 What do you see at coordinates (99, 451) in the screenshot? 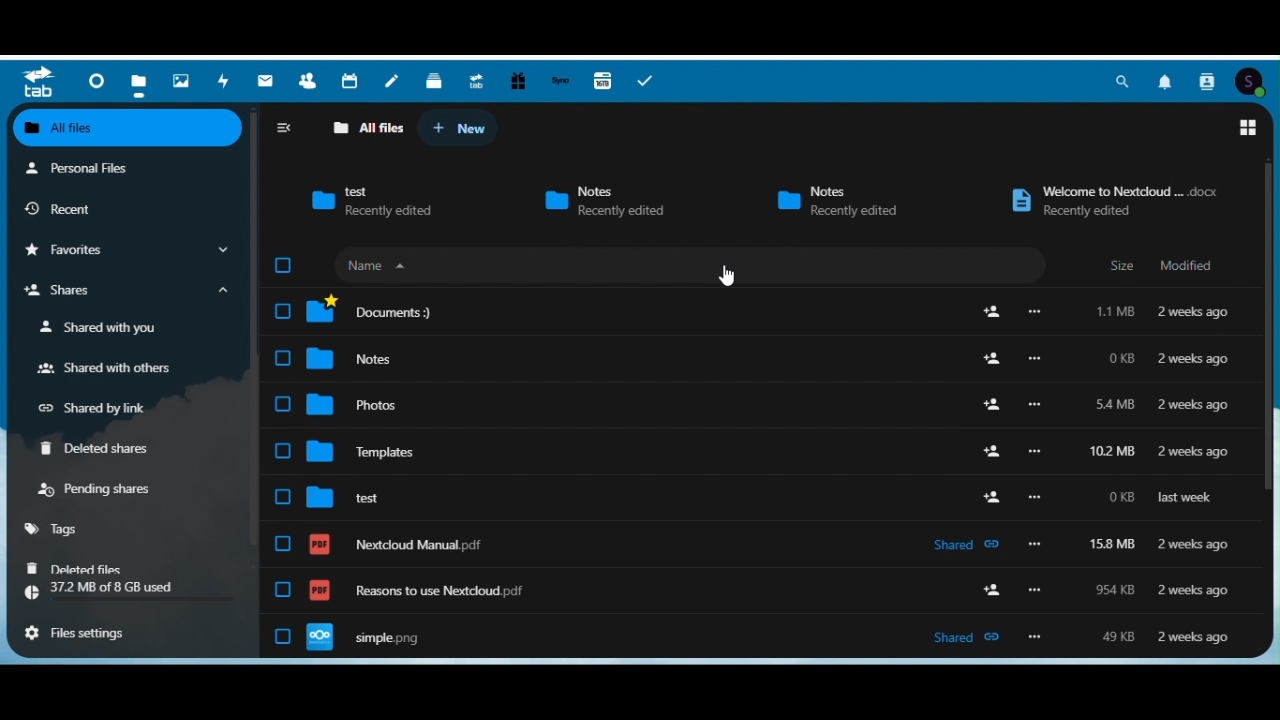
I see `Deleted shares` at bounding box center [99, 451].